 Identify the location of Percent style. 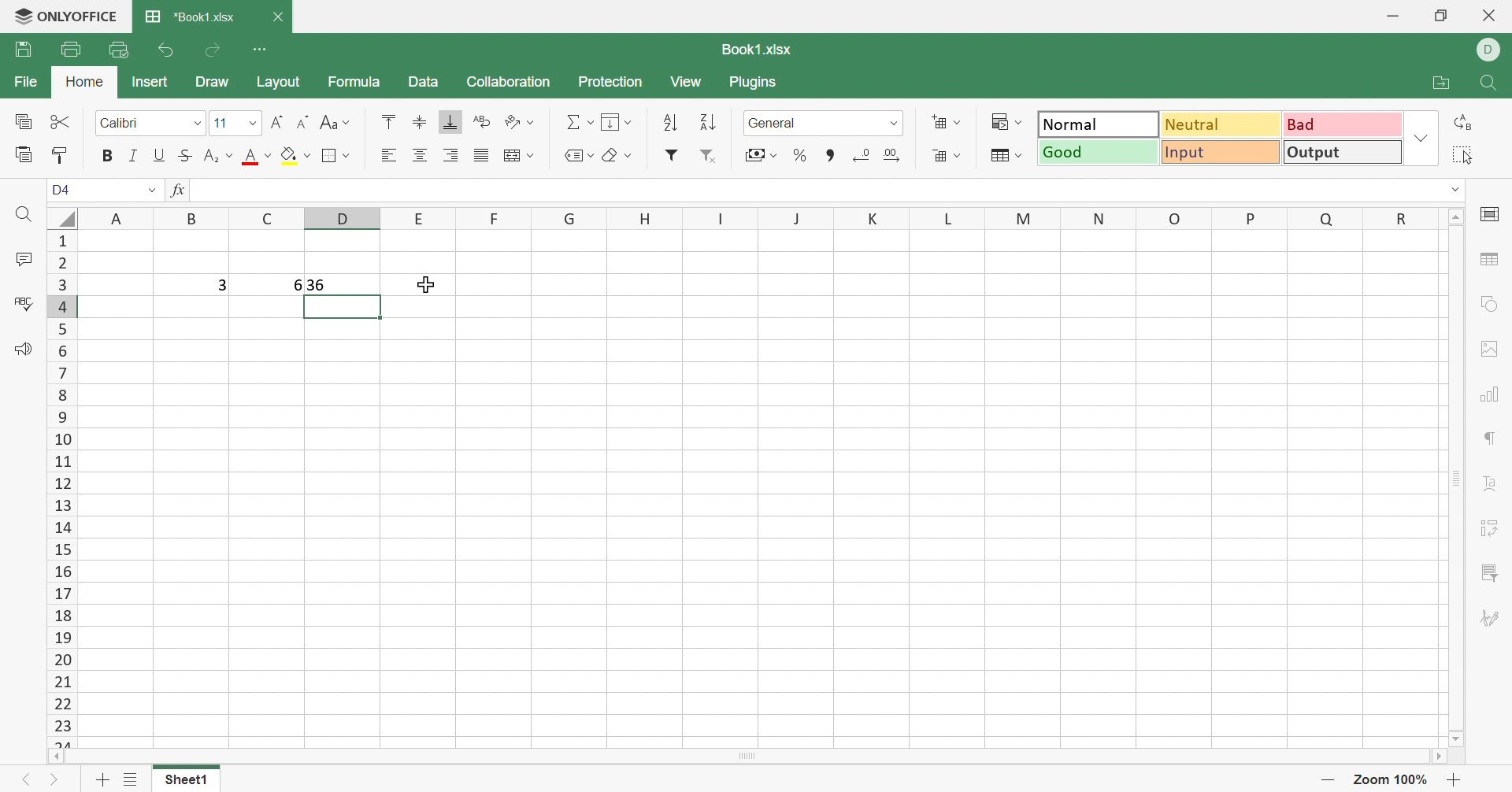
(801, 156).